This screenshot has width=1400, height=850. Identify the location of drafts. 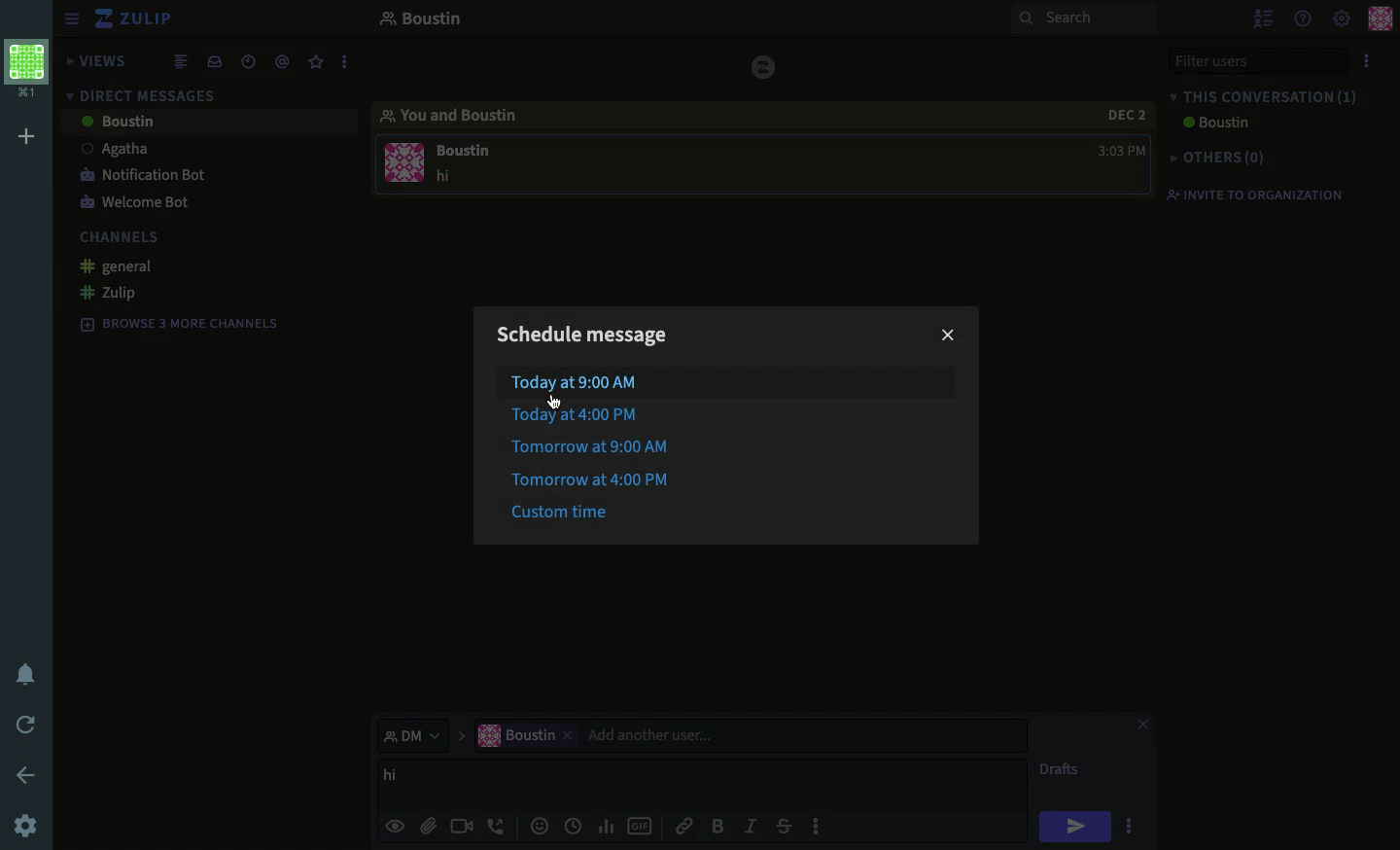
(1062, 770).